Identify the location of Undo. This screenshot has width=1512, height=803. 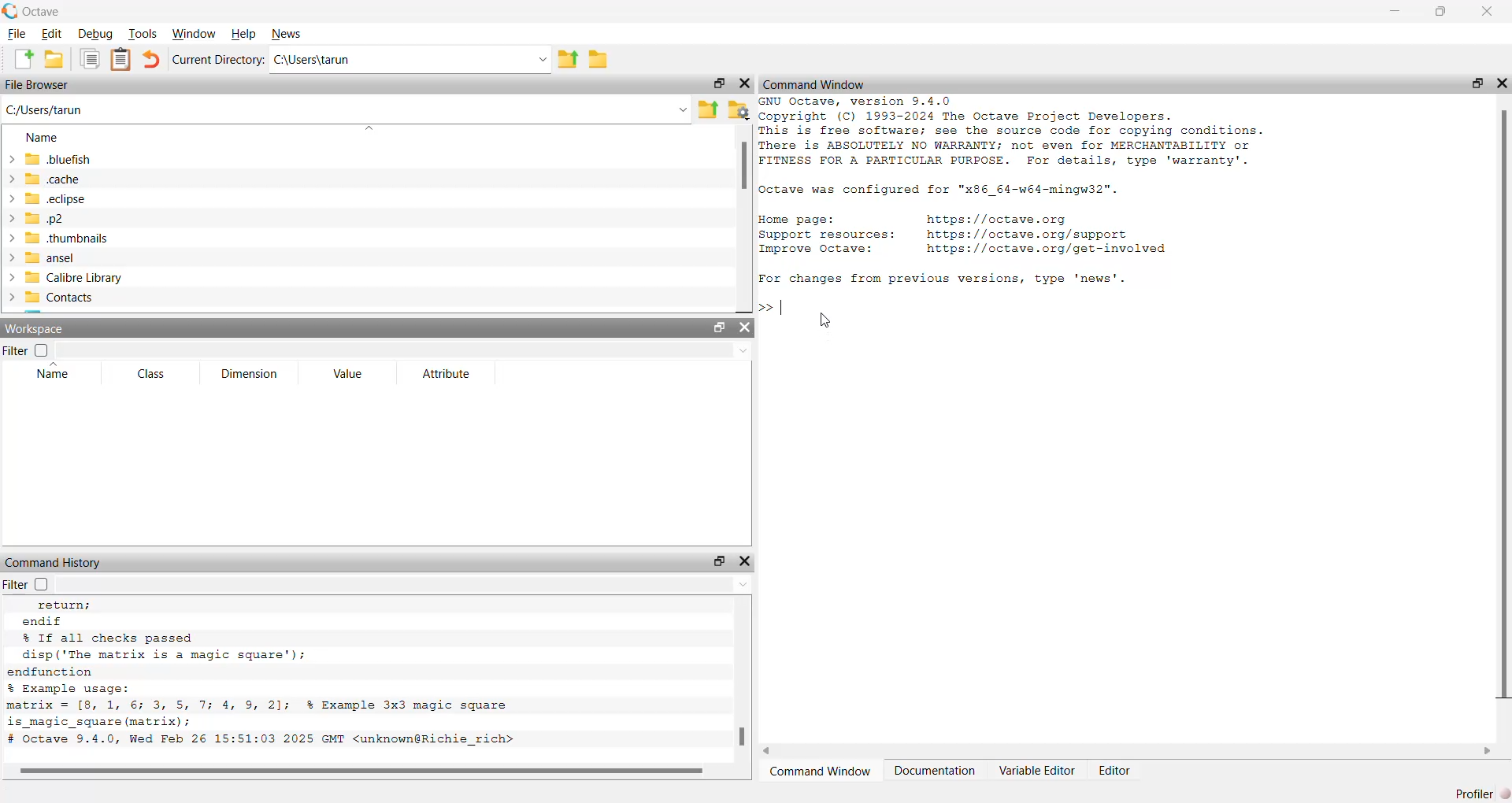
(151, 59).